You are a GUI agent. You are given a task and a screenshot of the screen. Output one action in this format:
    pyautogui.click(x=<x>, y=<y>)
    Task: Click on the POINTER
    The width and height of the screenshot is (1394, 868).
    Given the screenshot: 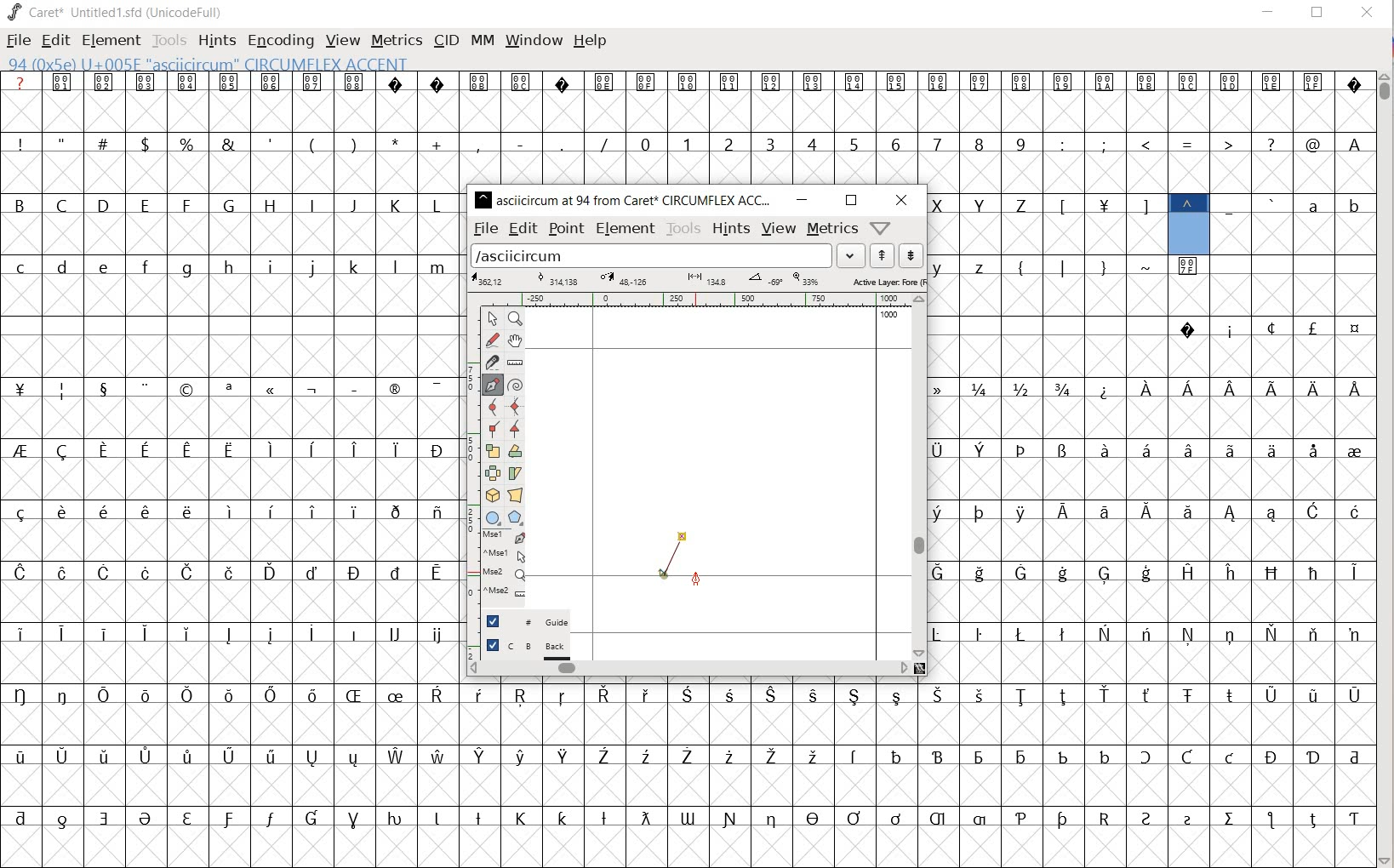 What is the action you would take?
    pyautogui.click(x=494, y=320)
    